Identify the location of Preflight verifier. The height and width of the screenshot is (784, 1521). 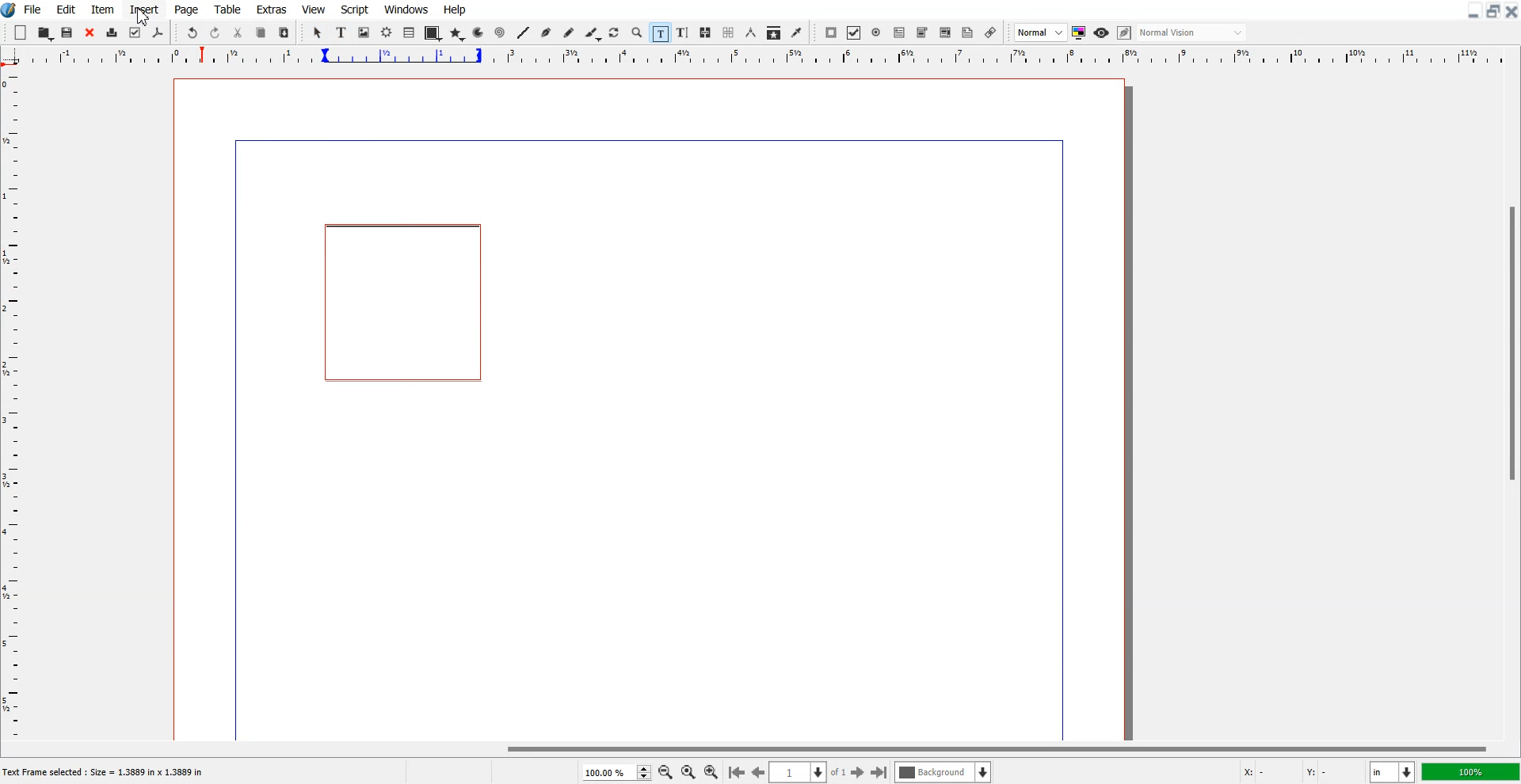
(134, 32).